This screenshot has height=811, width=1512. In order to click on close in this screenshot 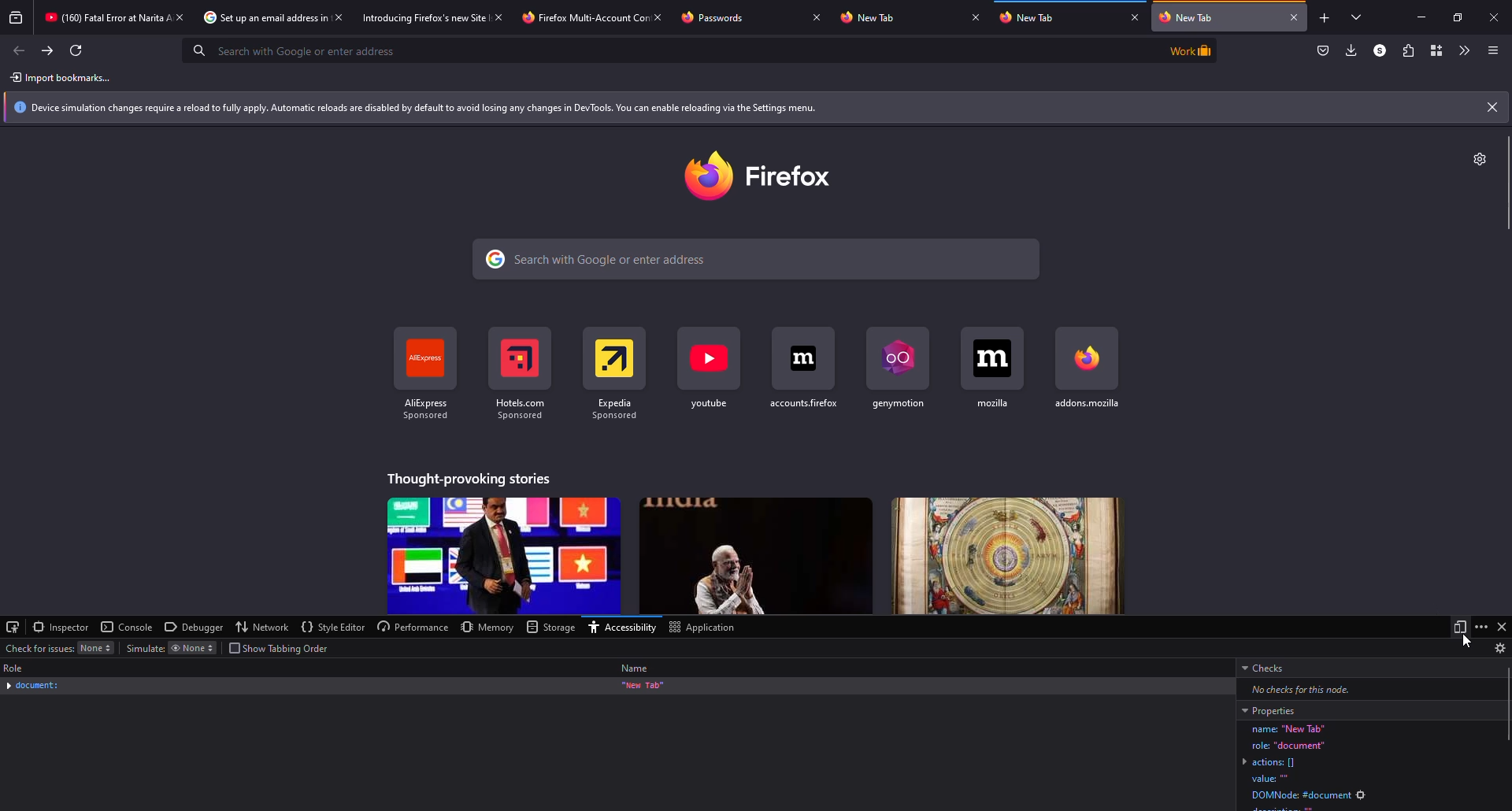, I will do `click(1492, 107)`.